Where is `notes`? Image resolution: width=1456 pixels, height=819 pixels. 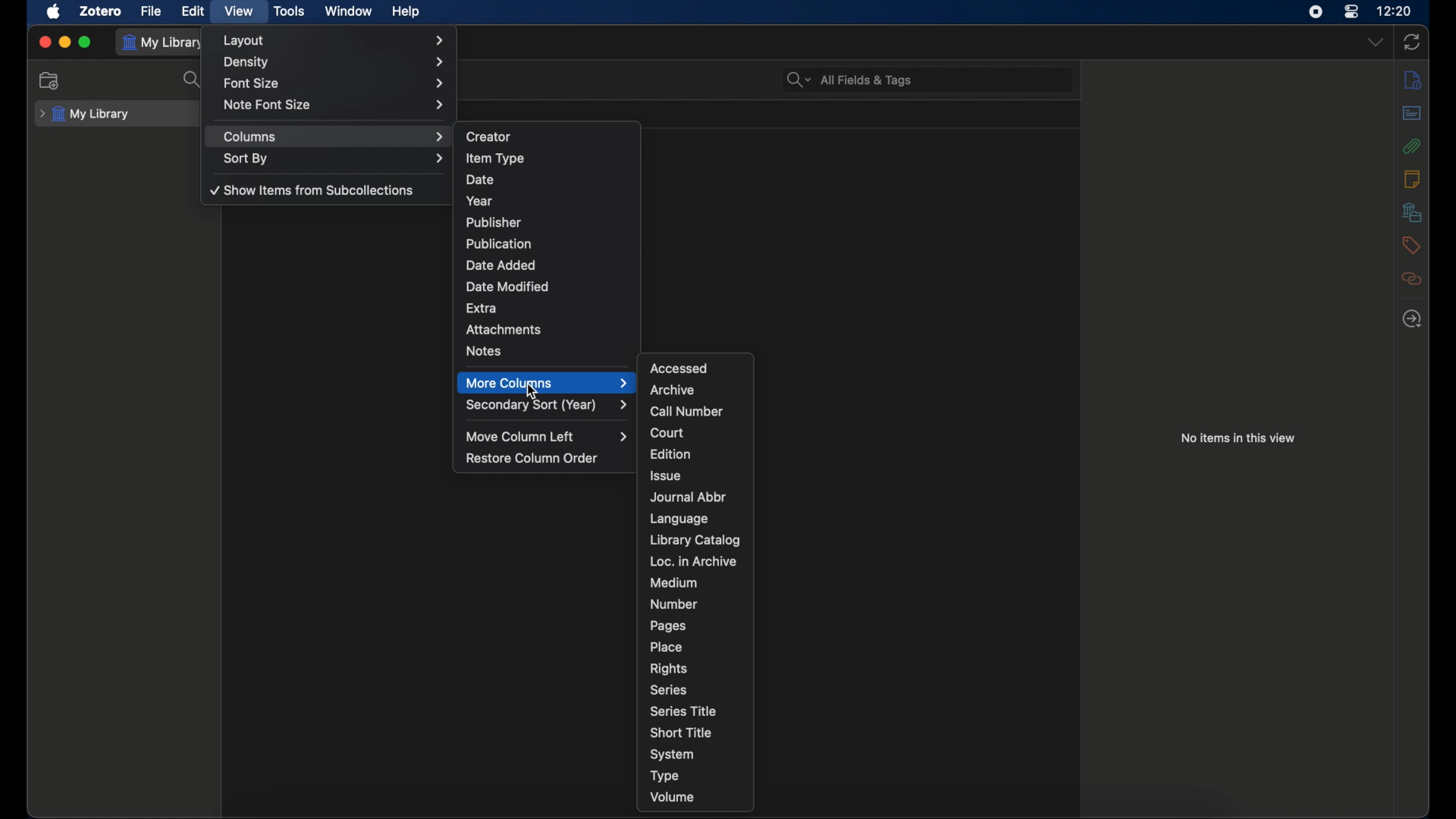 notes is located at coordinates (1412, 178).